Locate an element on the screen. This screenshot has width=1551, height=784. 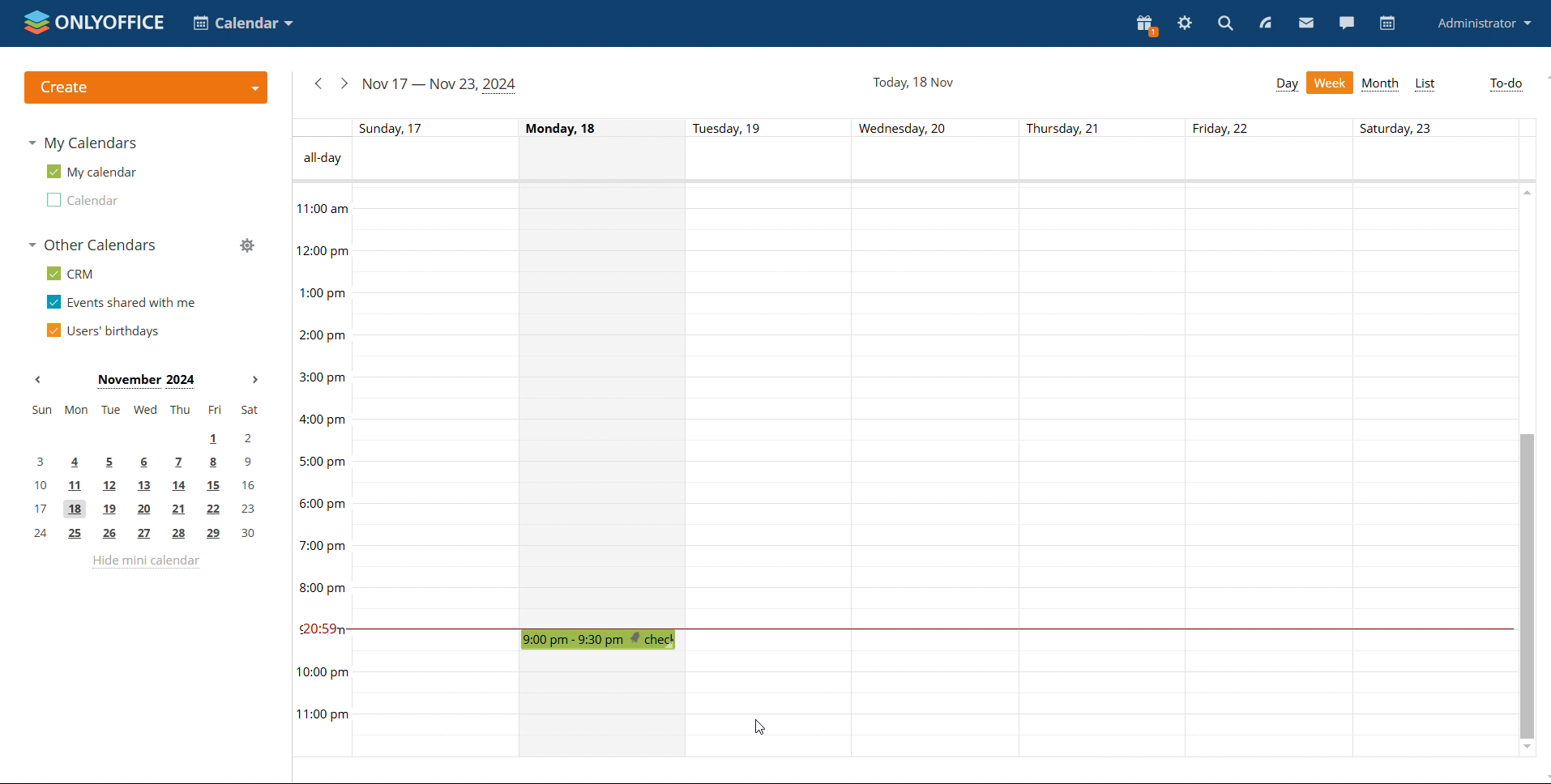
mini calendar is located at coordinates (145, 472).